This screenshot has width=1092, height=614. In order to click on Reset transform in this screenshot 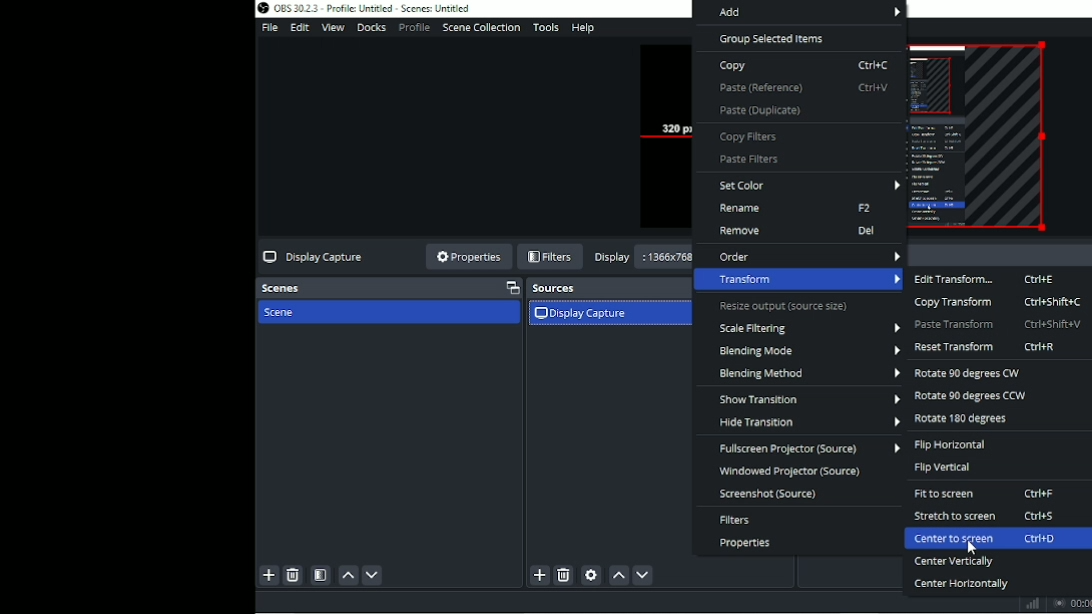, I will do `click(987, 346)`.